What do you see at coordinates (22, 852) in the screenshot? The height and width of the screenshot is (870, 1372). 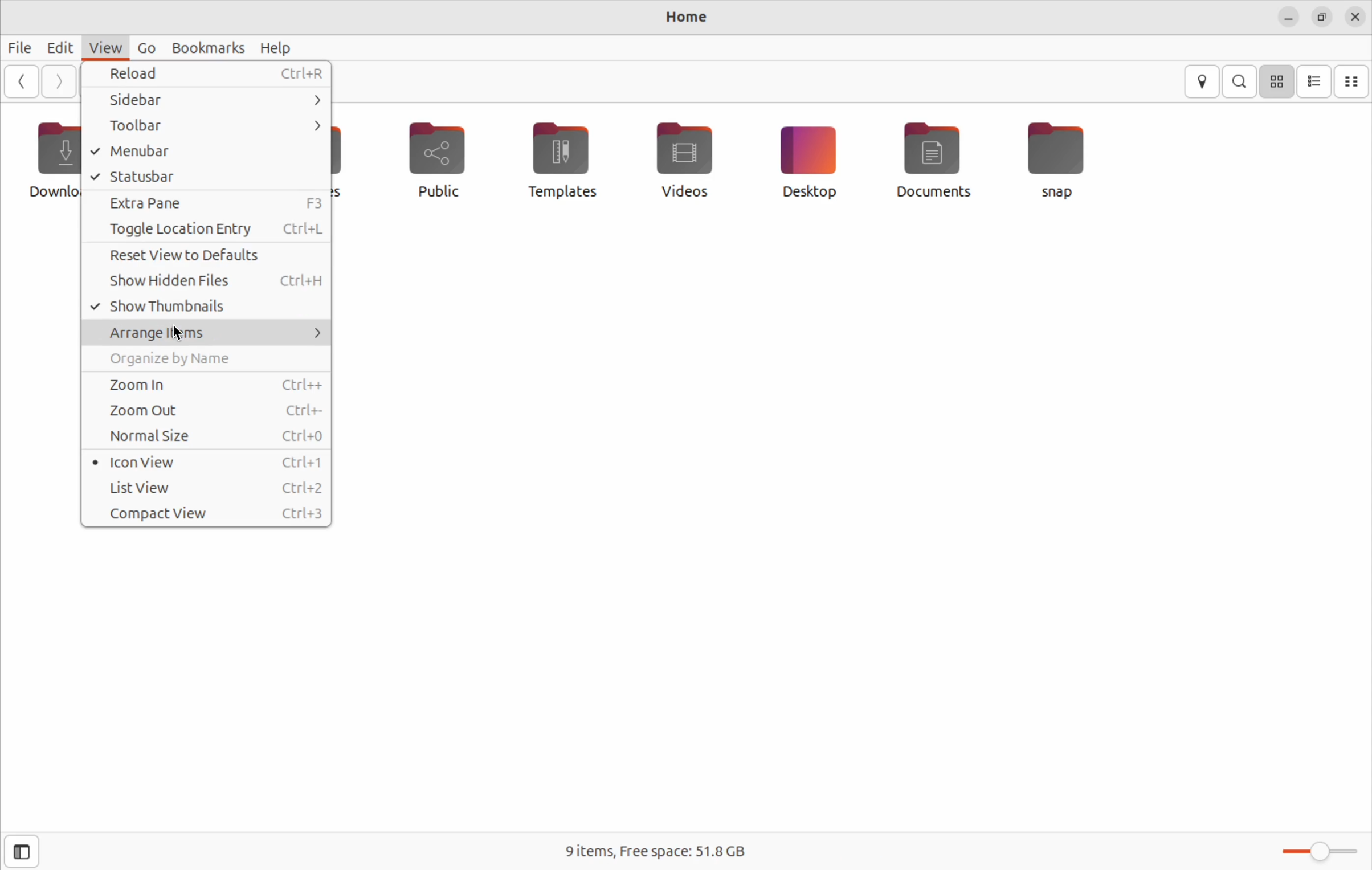 I see `open side bar` at bounding box center [22, 852].